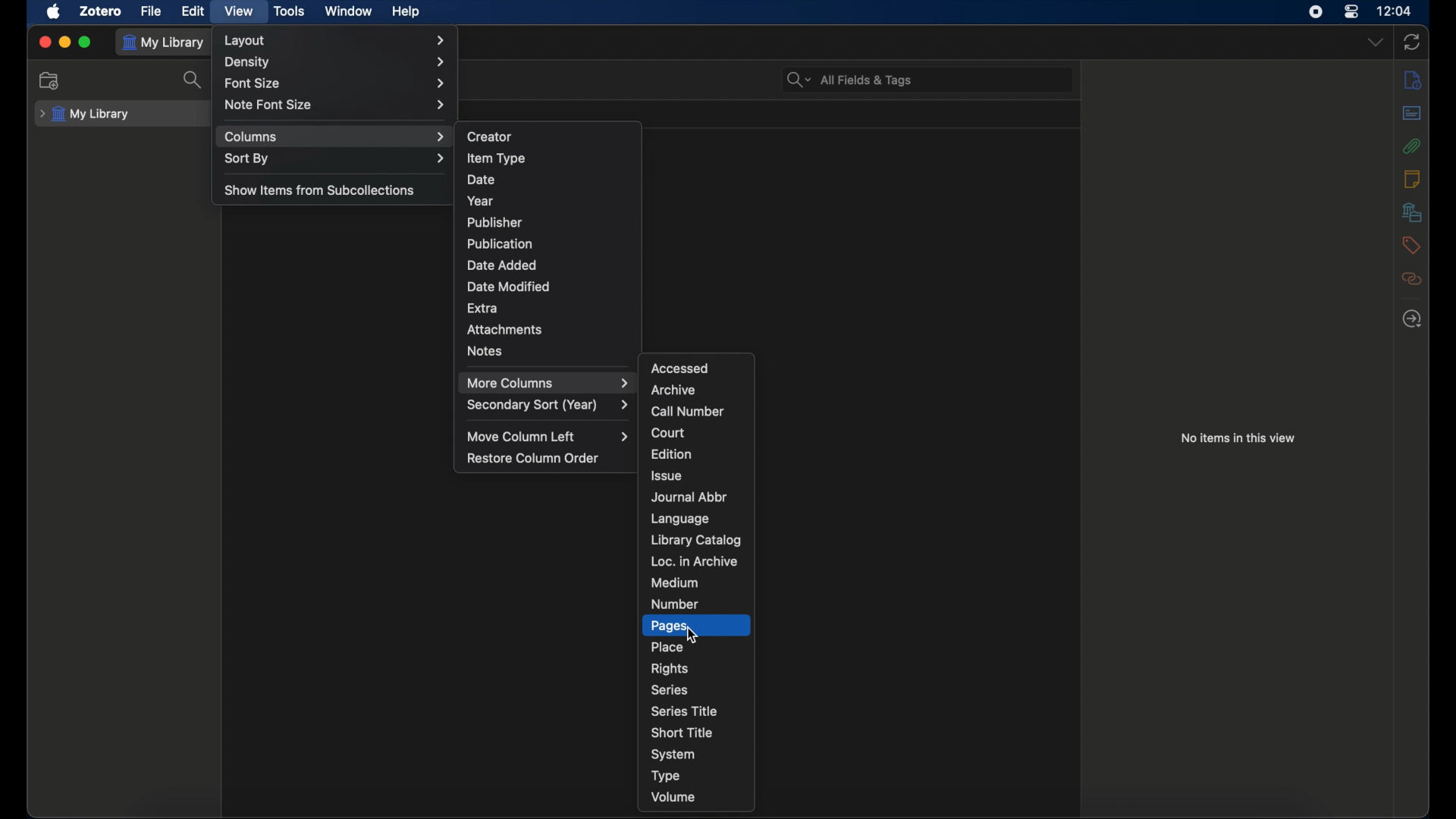 Image resolution: width=1456 pixels, height=819 pixels. Describe the element at coordinates (1238, 438) in the screenshot. I see `no items in this view` at that location.